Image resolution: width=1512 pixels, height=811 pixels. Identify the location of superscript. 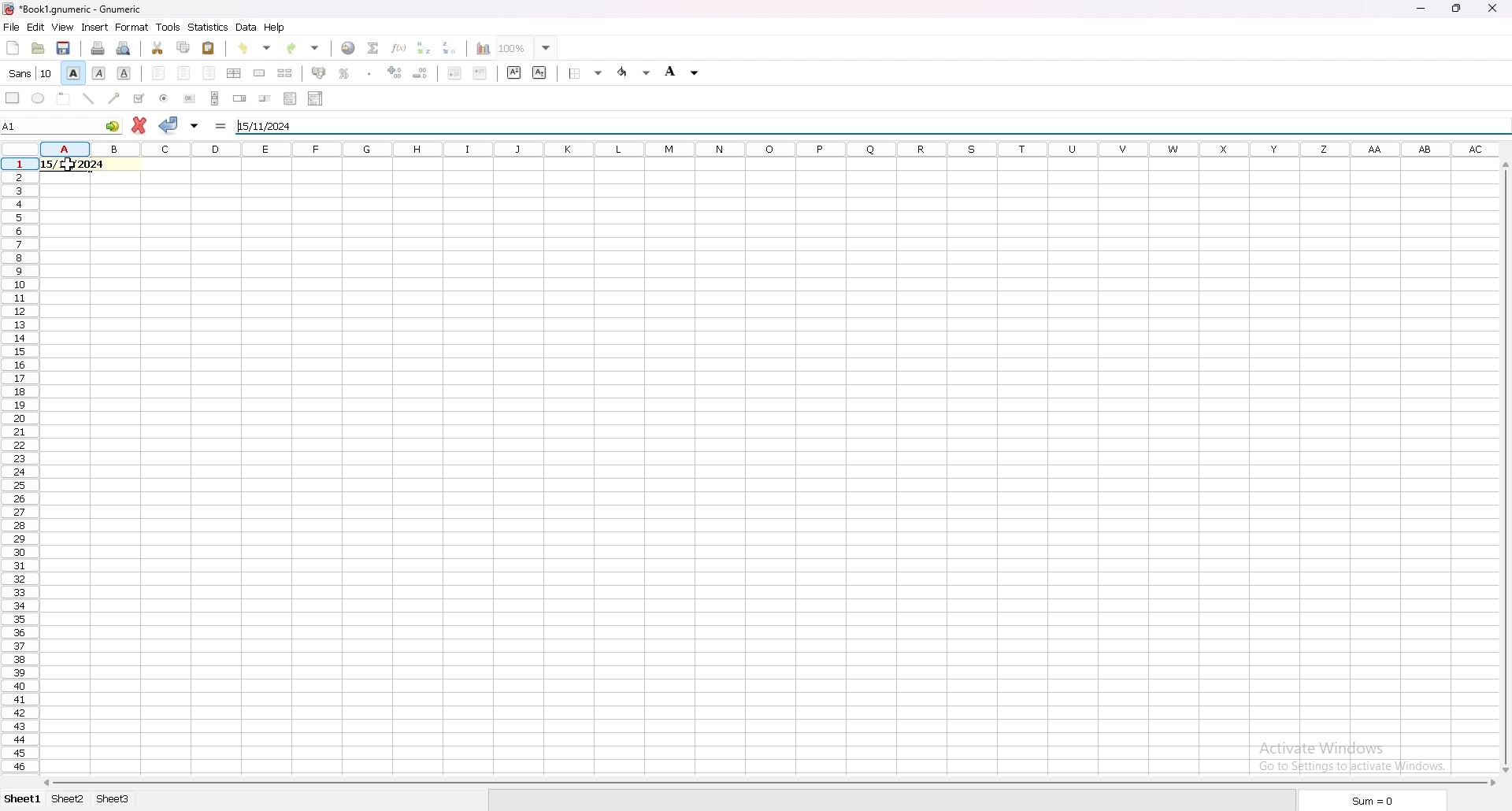
(513, 72).